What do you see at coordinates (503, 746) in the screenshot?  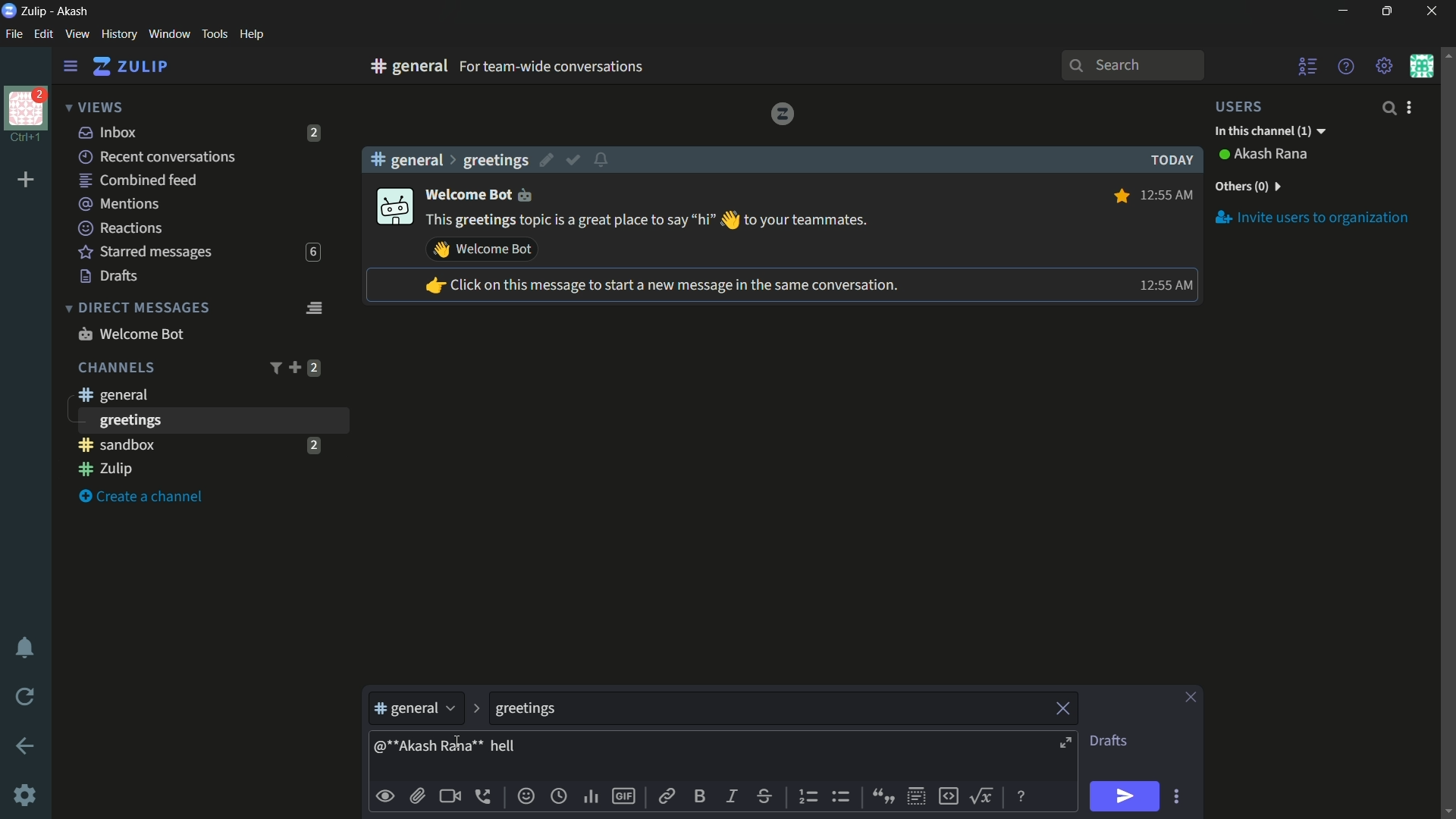 I see `hell` at bounding box center [503, 746].